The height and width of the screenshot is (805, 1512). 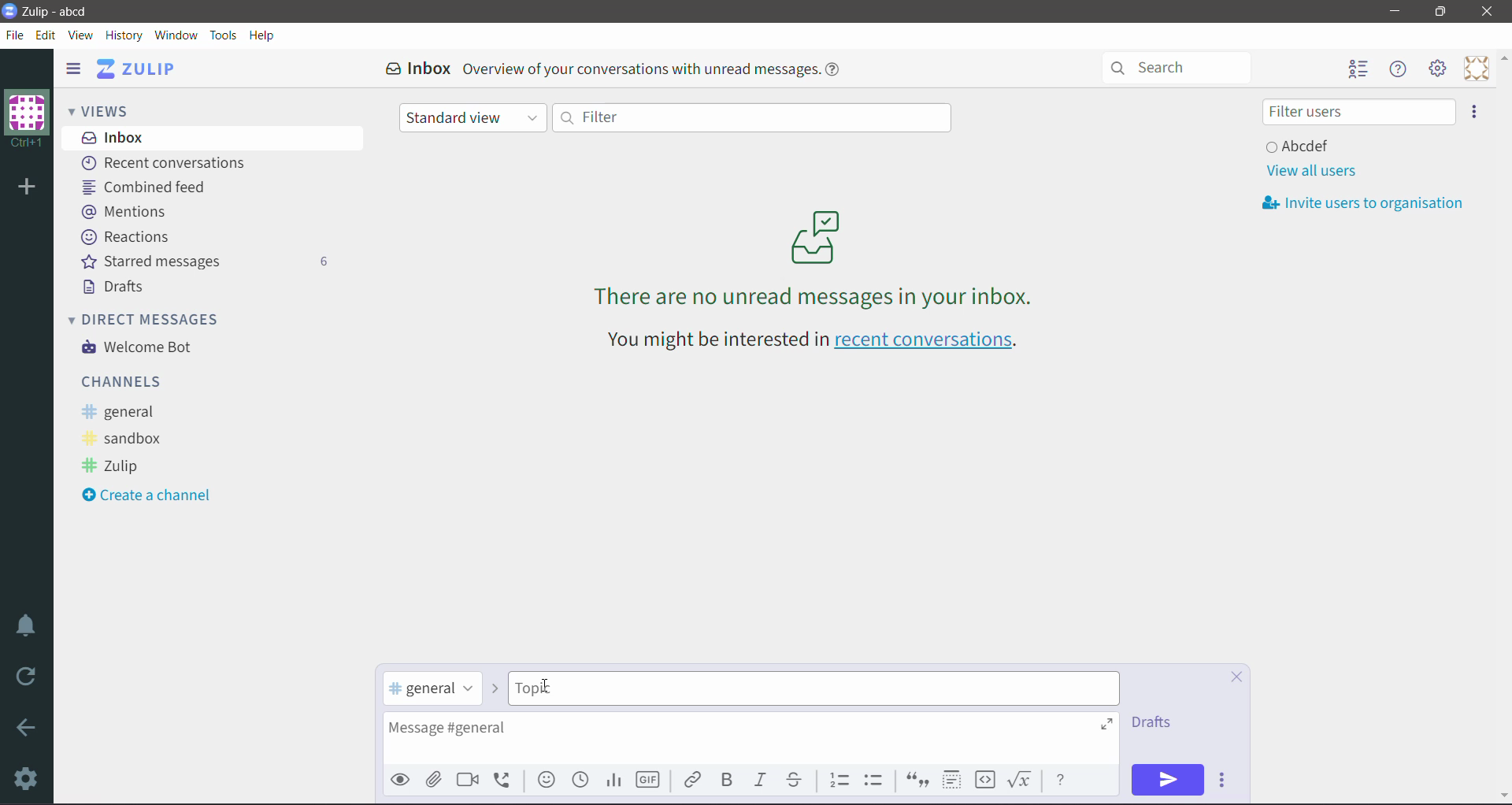 I want to click on Welcome Bot, so click(x=141, y=348).